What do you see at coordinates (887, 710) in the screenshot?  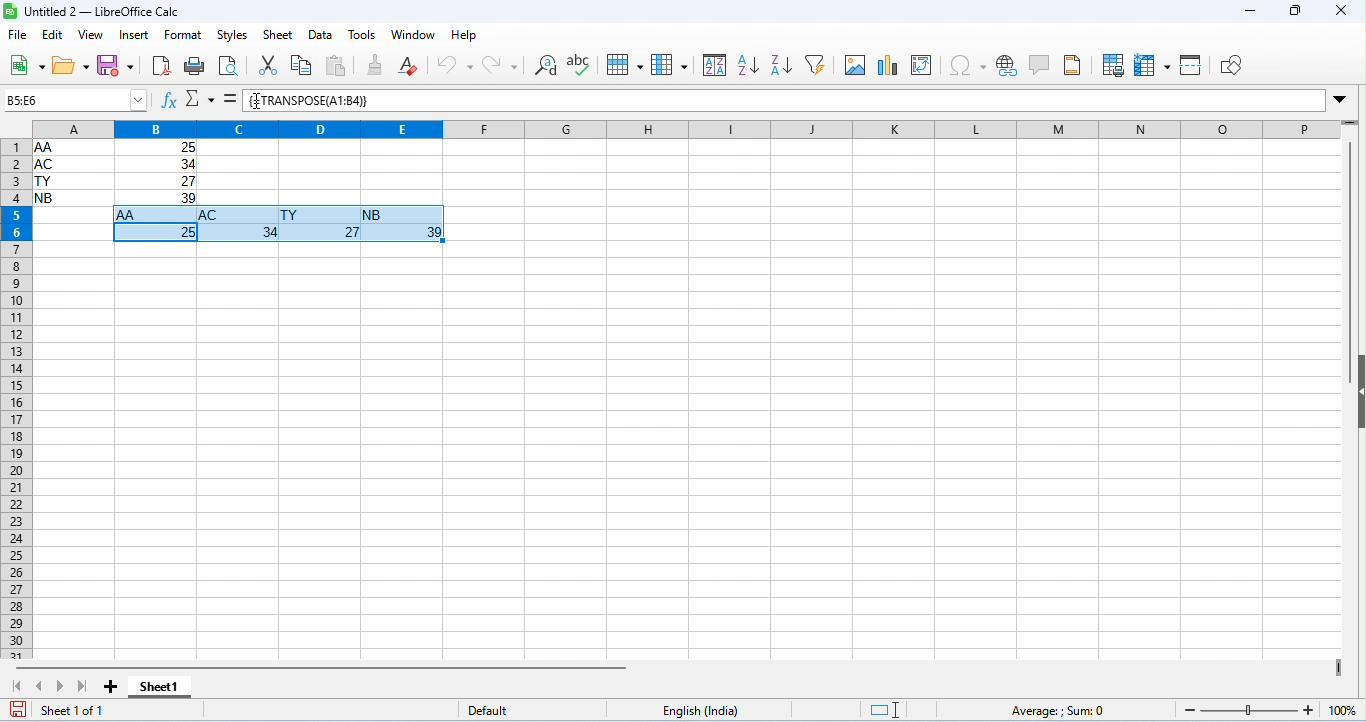 I see `standard selection` at bounding box center [887, 710].